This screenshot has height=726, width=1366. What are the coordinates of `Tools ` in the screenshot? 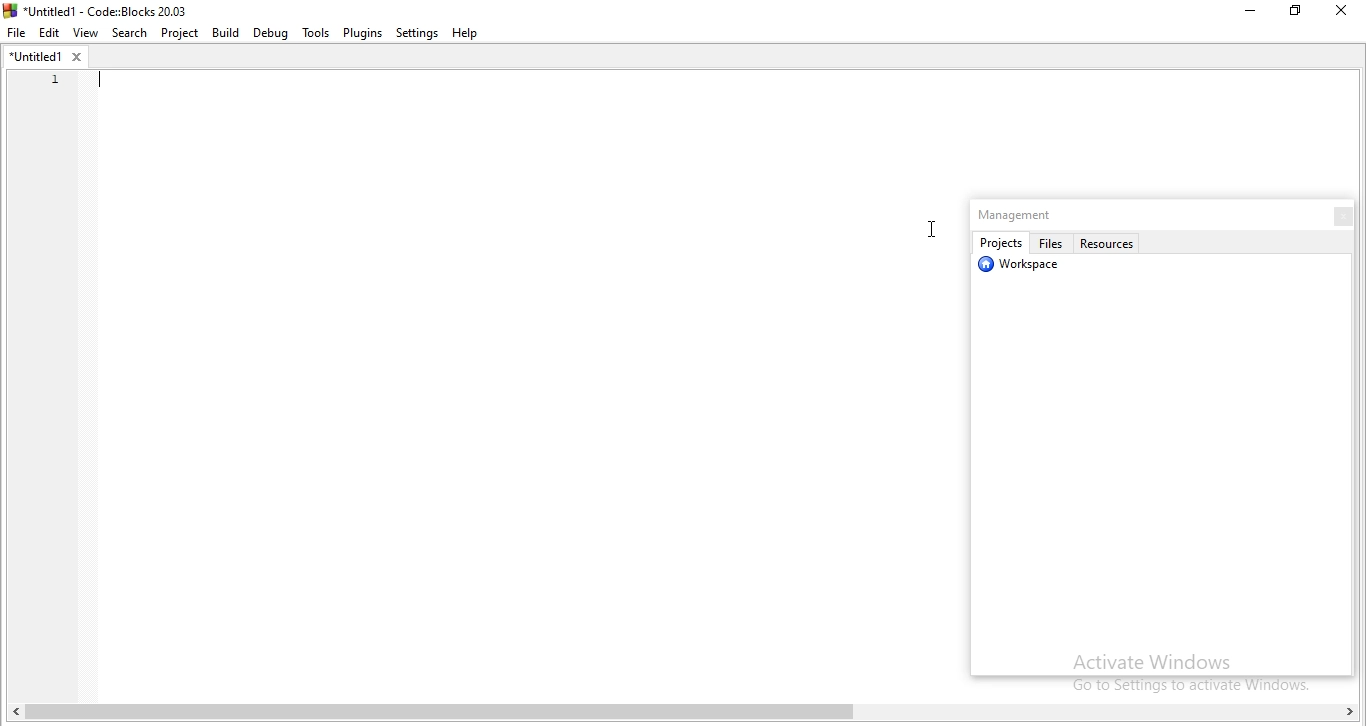 It's located at (314, 33).